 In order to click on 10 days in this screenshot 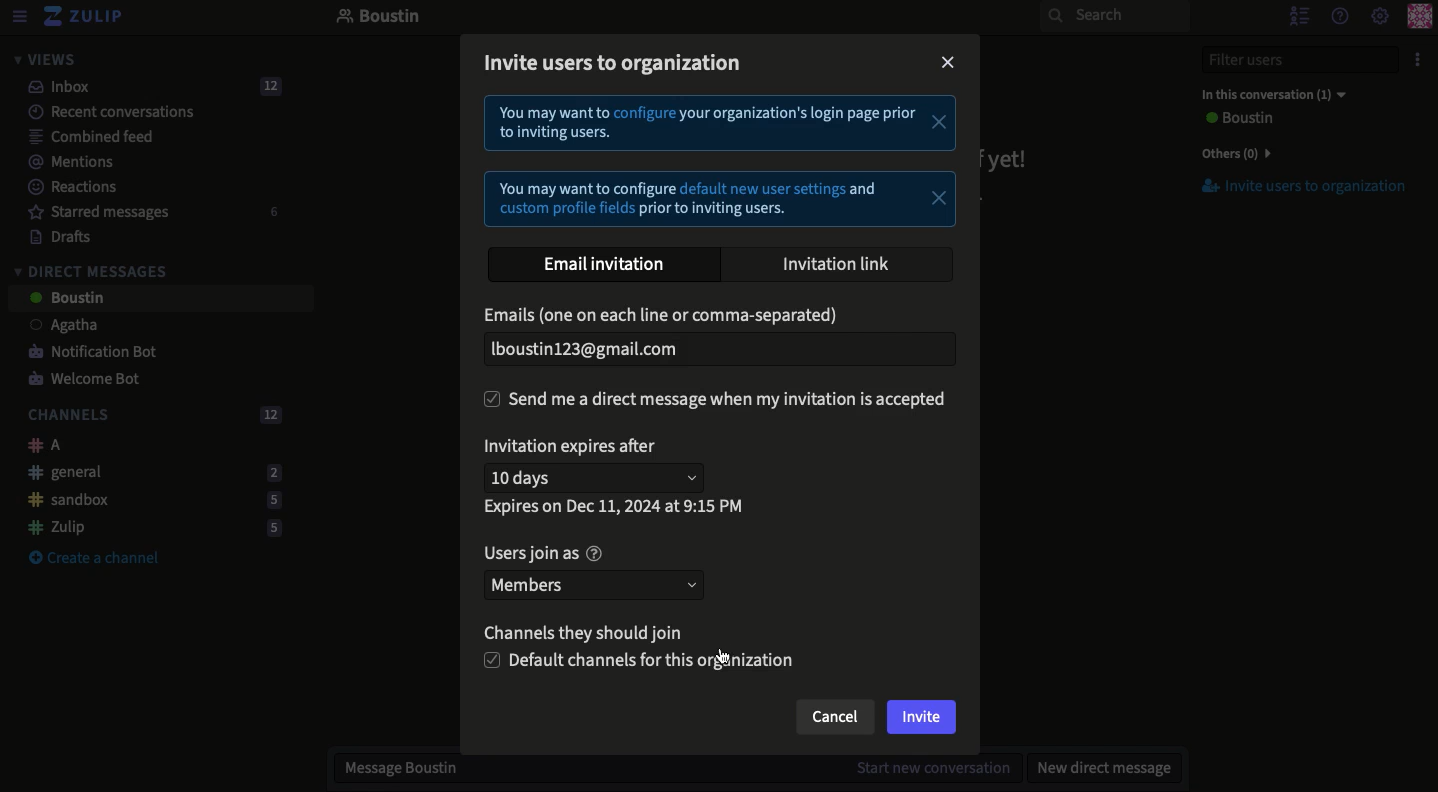, I will do `click(598, 480)`.